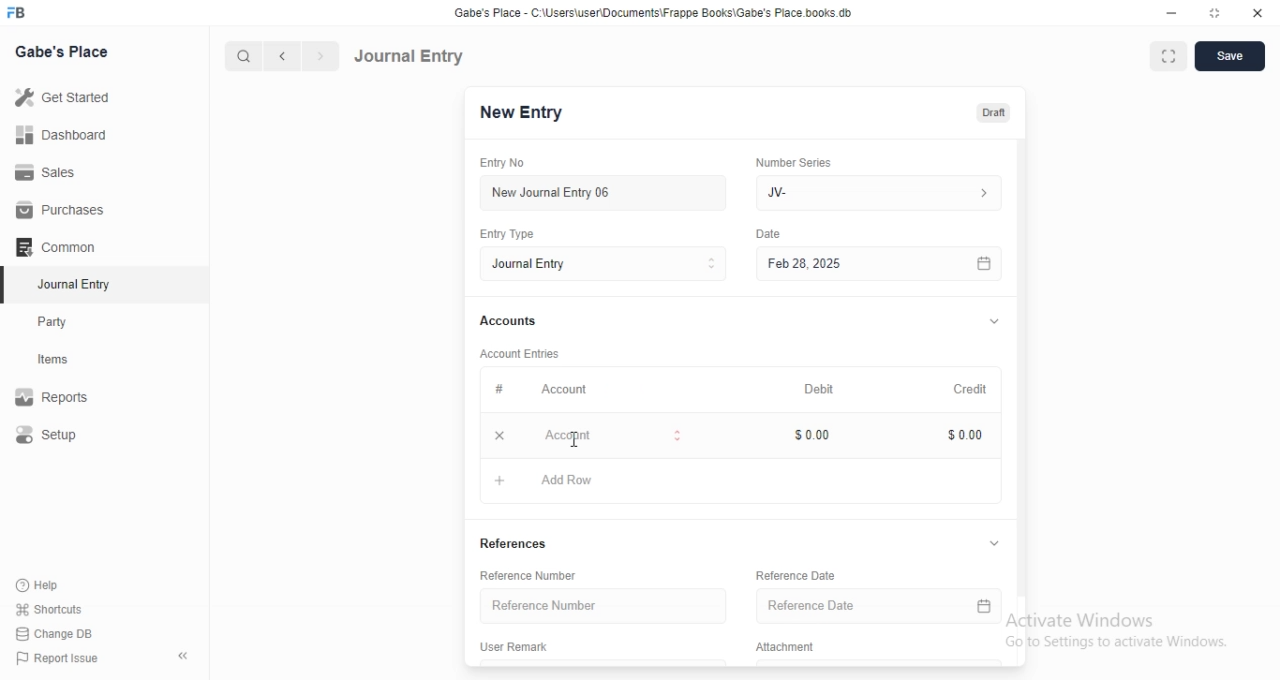 This screenshot has height=680, width=1280. What do you see at coordinates (318, 57) in the screenshot?
I see `next` at bounding box center [318, 57].